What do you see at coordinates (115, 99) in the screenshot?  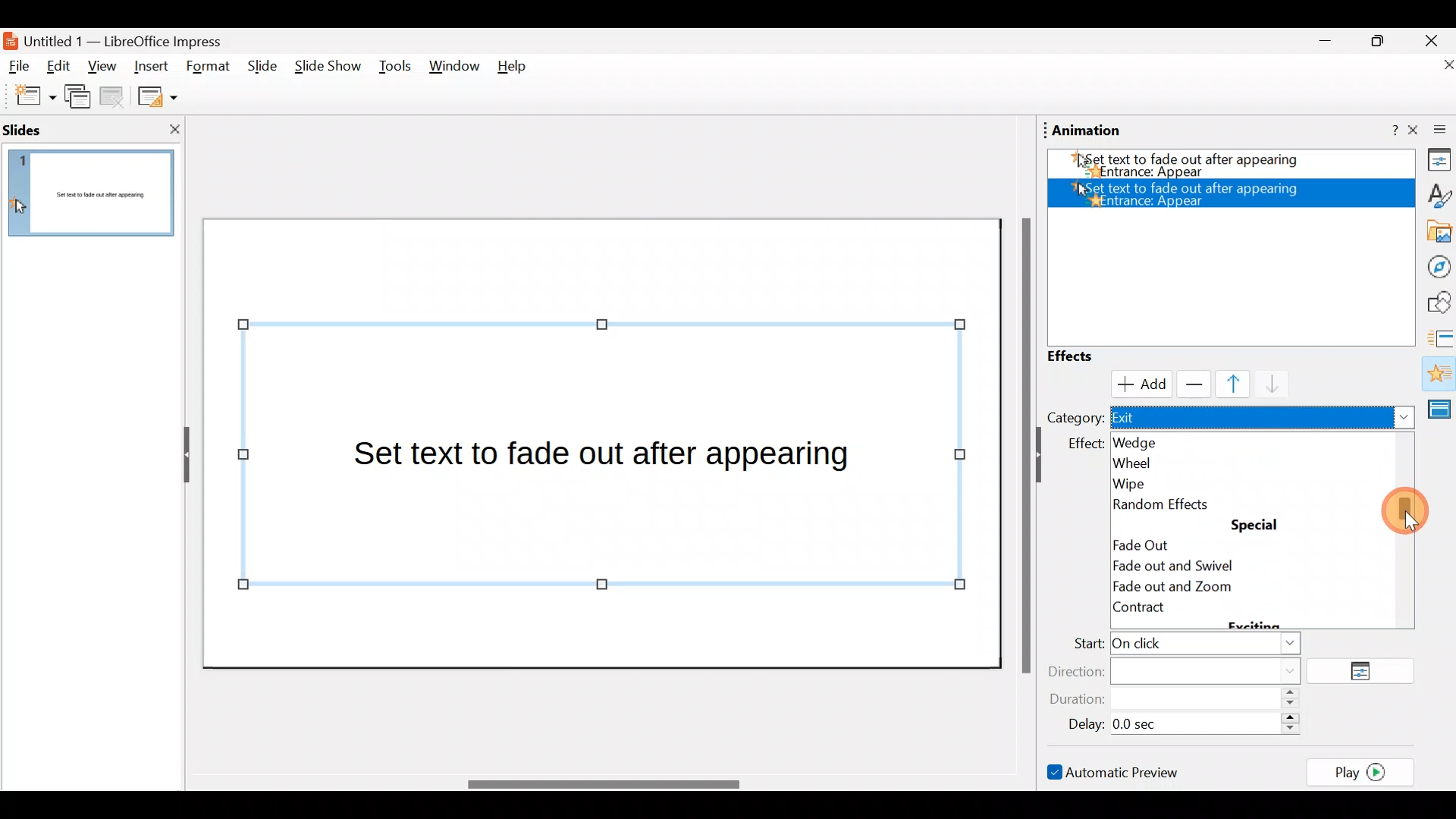 I see `Delete slide` at bounding box center [115, 99].